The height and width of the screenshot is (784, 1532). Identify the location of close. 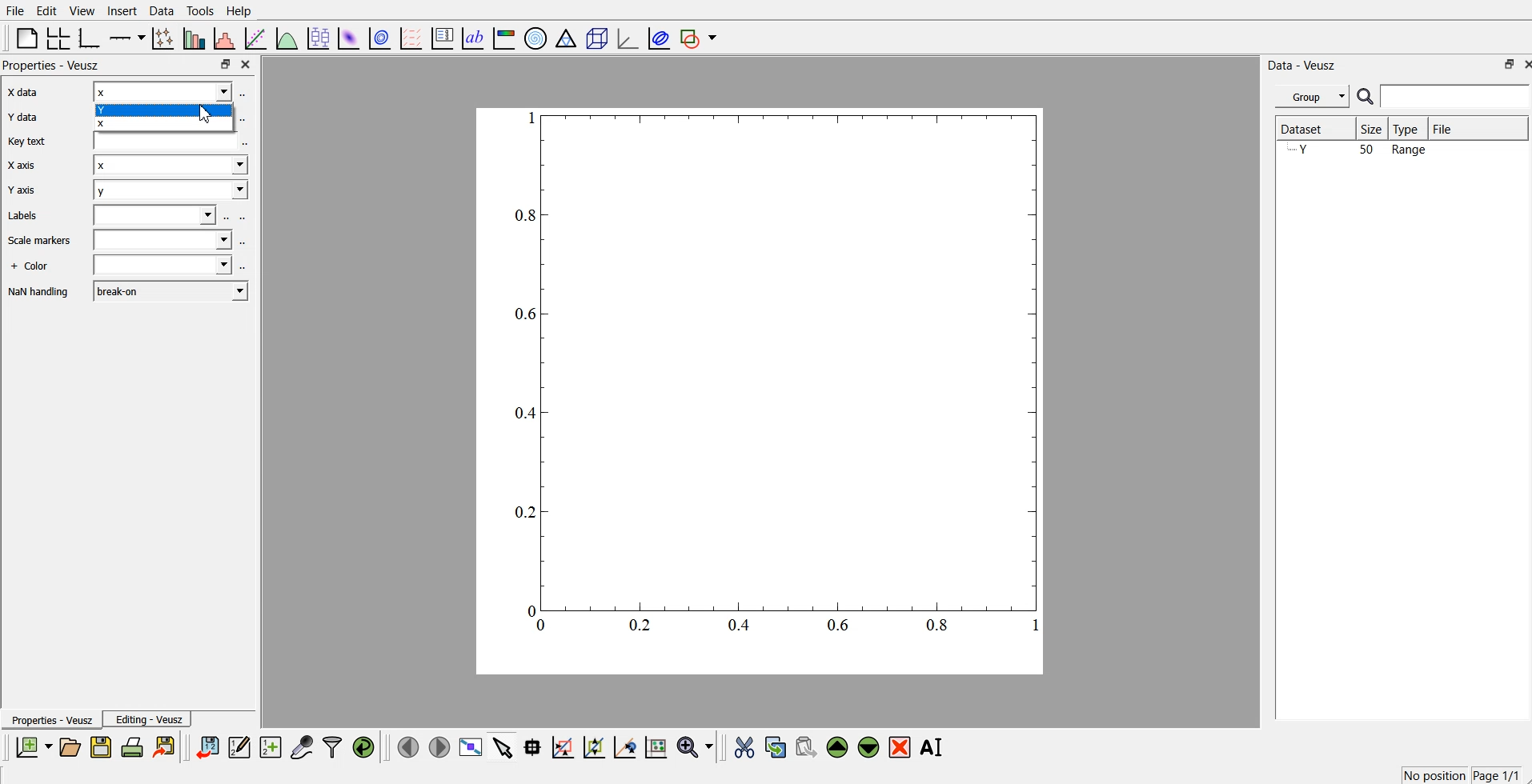
(247, 62).